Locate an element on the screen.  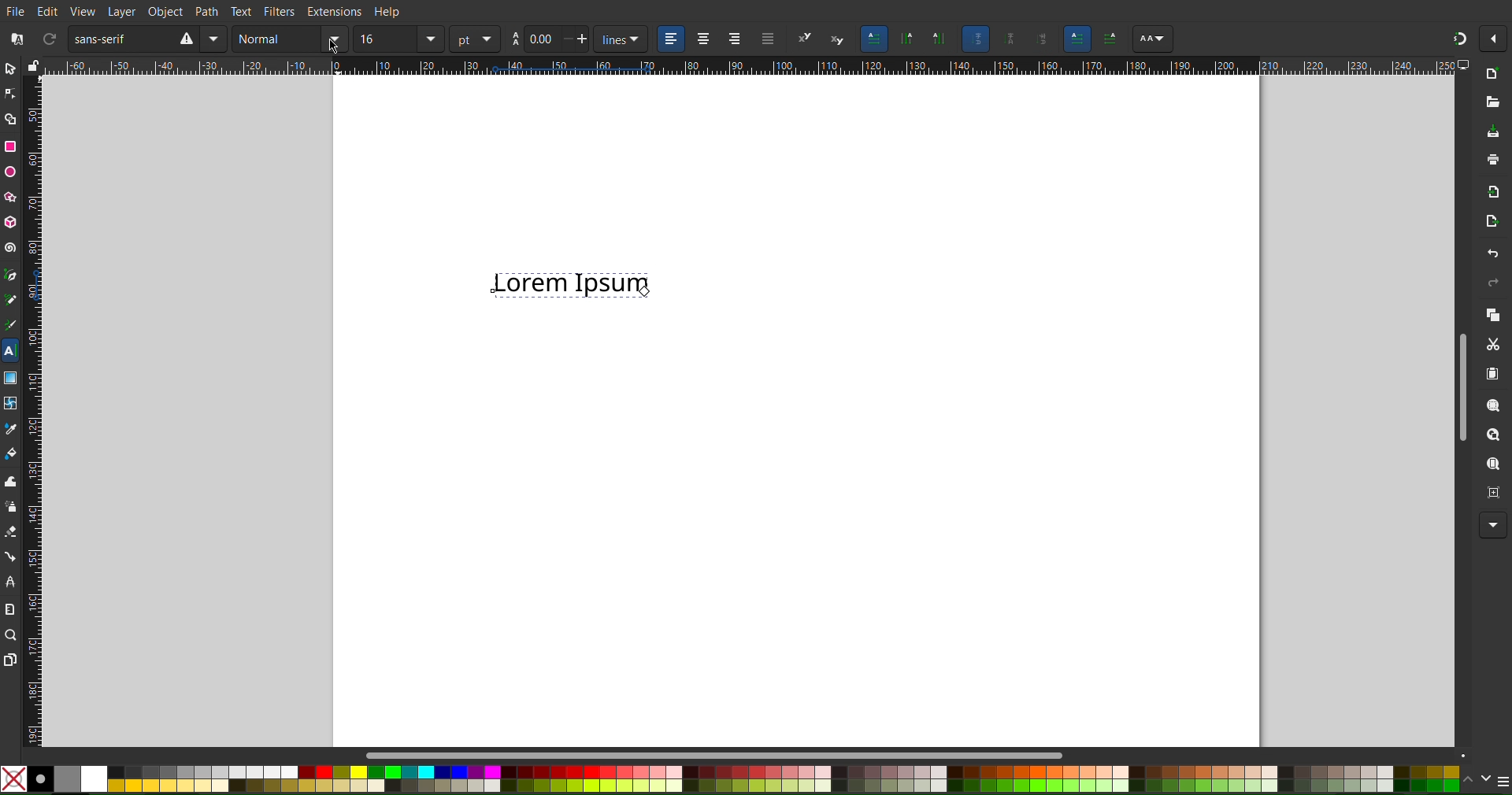
Mirror Vertically is located at coordinates (217, 39).